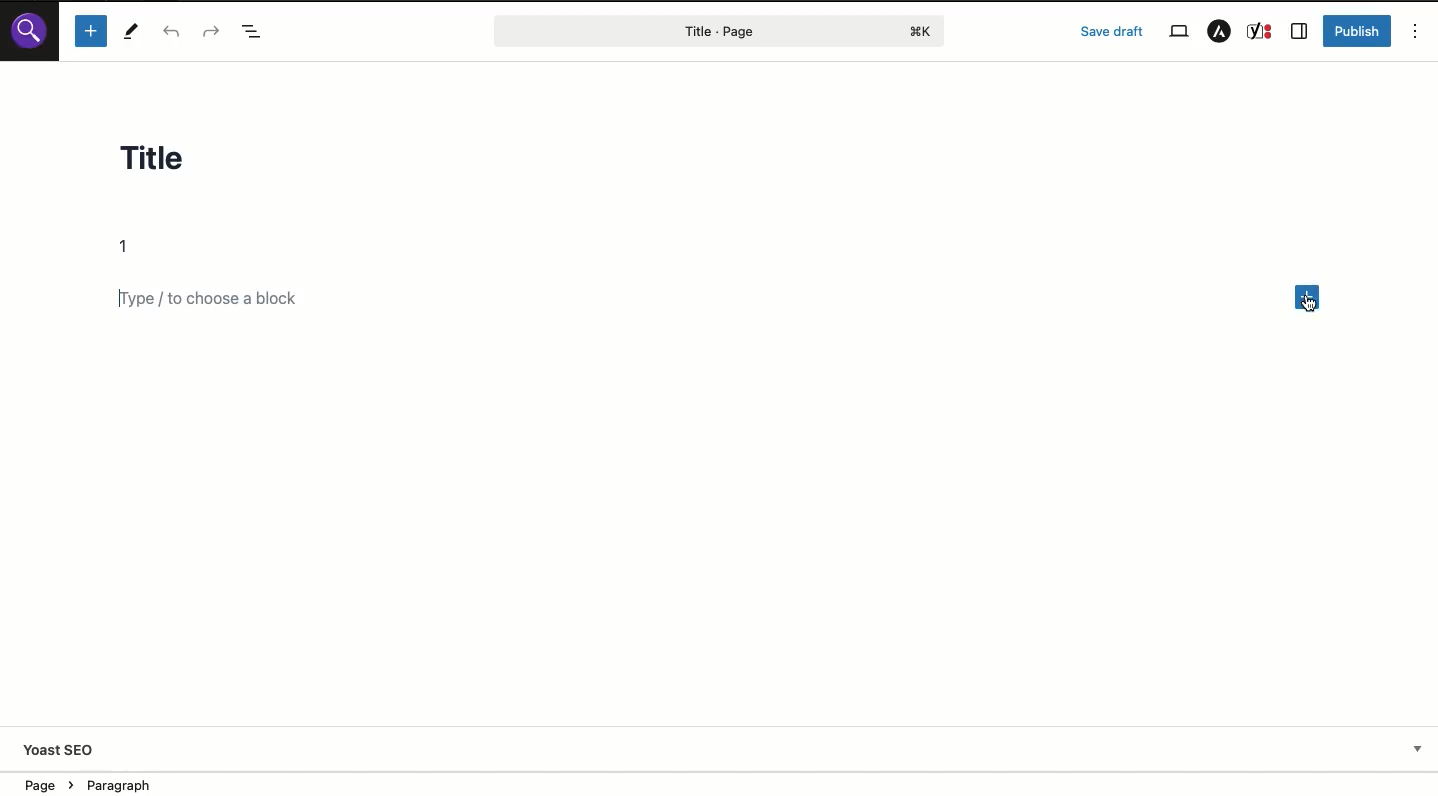 The width and height of the screenshot is (1438, 796). What do you see at coordinates (1418, 749) in the screenshot?
I see `Drop-down ` at bounding box center [1418, 749].